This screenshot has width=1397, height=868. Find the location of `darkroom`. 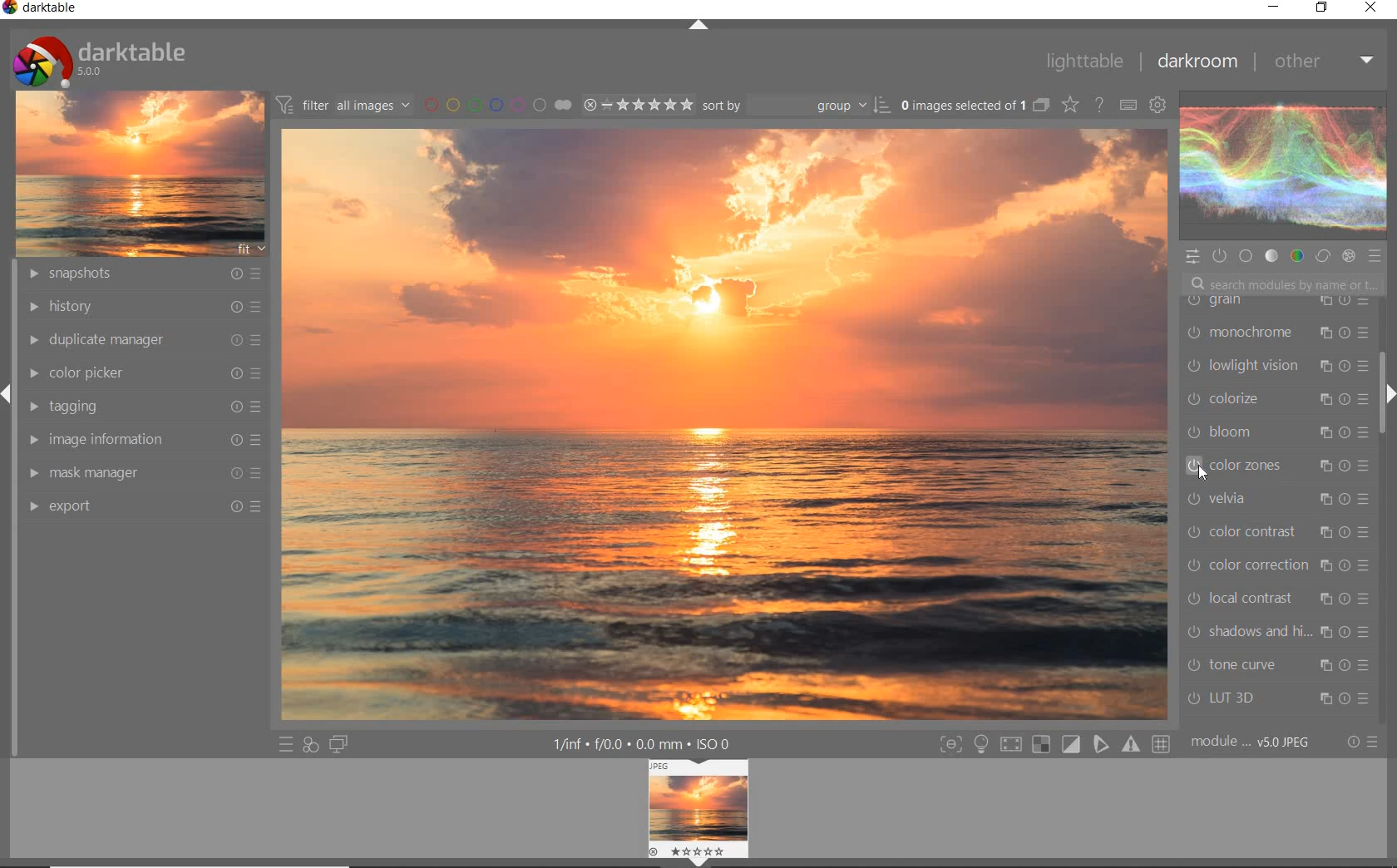

darkroom is located at coordinates (1201, 62).